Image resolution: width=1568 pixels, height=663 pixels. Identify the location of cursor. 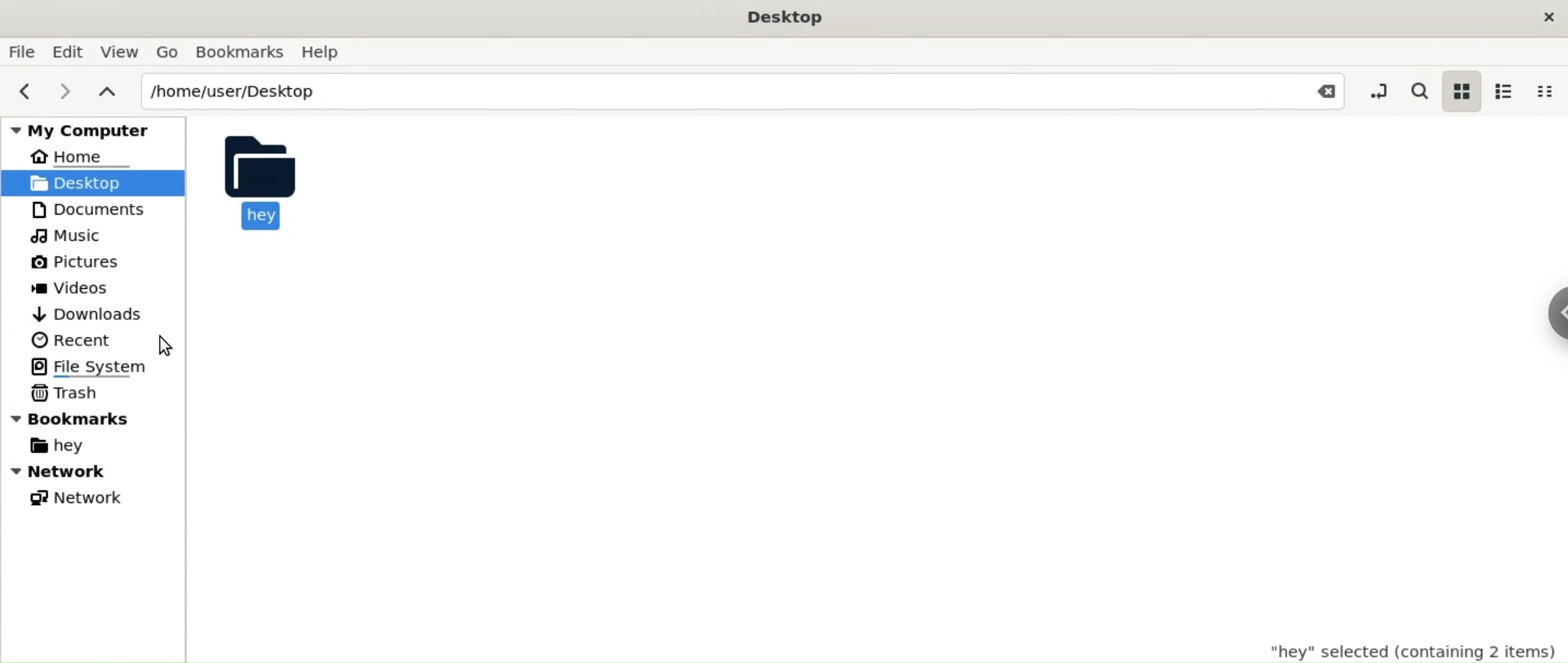
(170, 345).